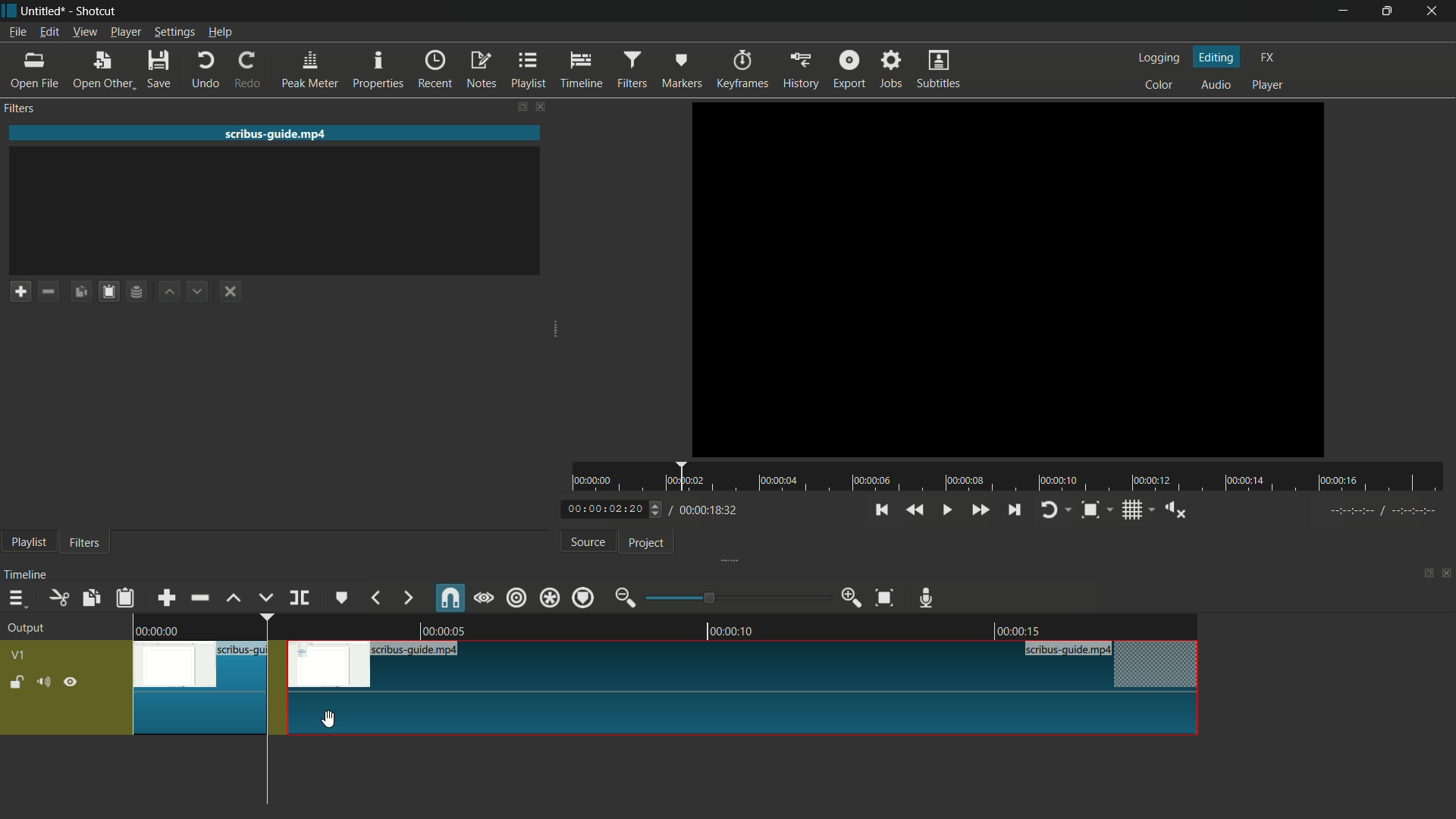 This screenshot has height=819, width=1456. I want to click on markers, so click(681, 71).